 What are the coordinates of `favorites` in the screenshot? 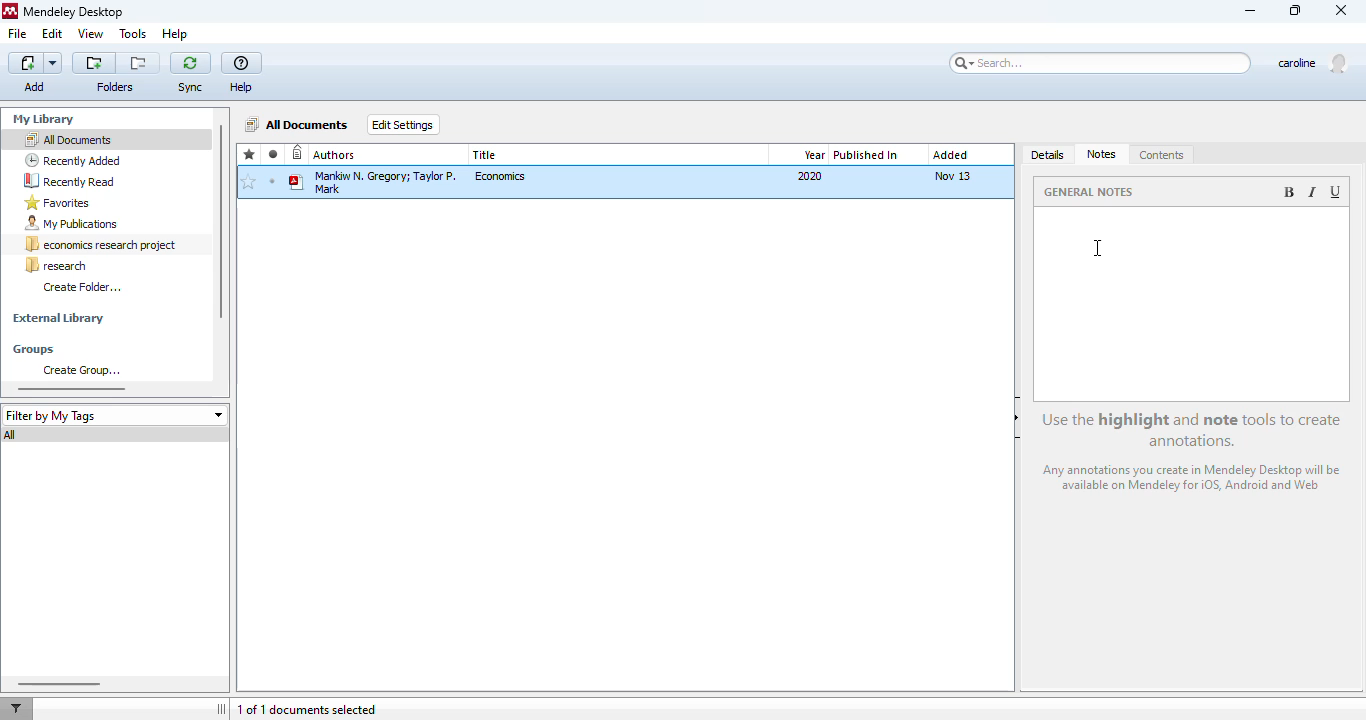 It's located at (250, 155).